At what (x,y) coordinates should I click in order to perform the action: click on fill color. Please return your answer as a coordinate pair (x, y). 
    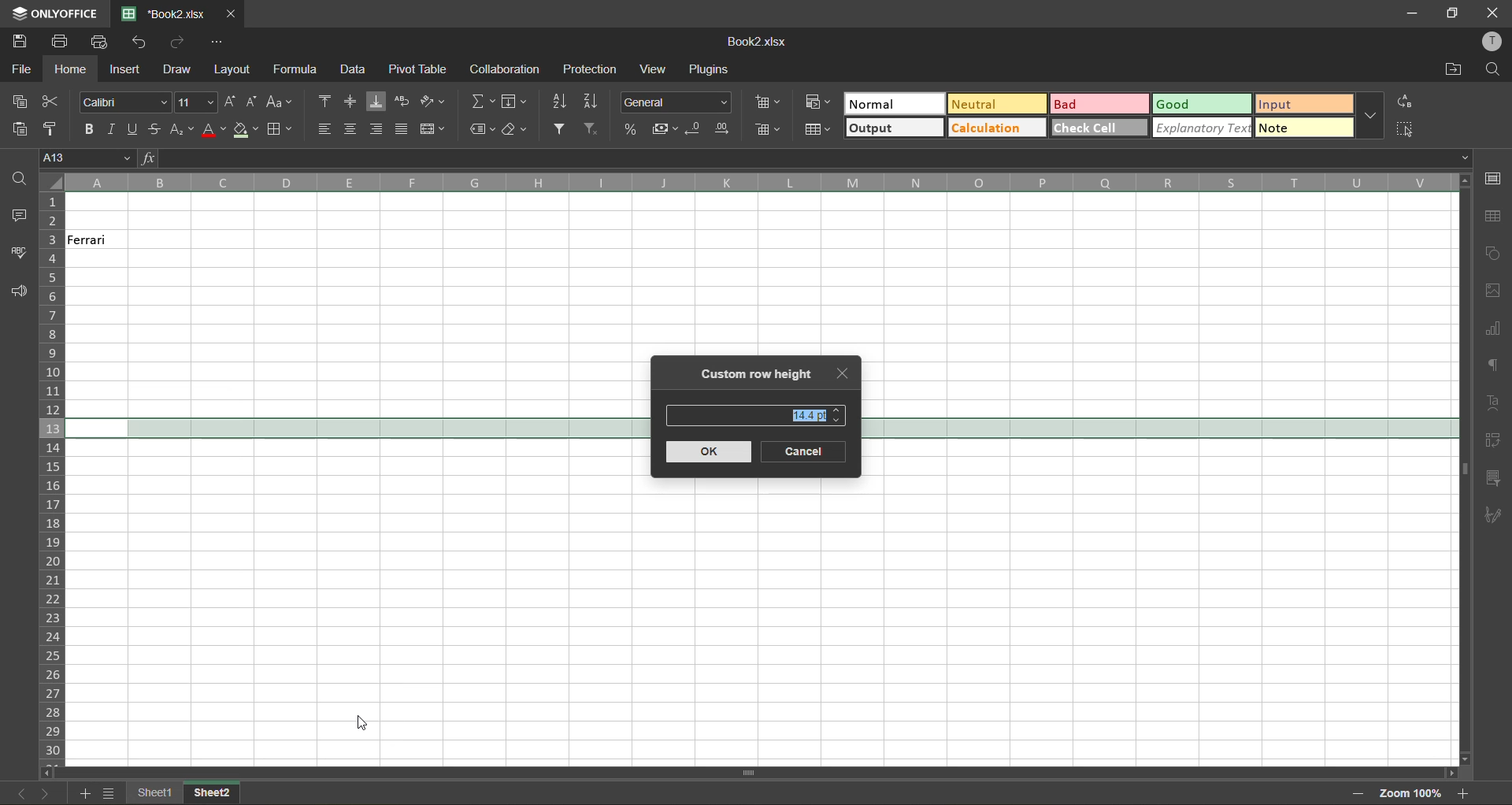
    Looking at the image, I should click on (244, 131).